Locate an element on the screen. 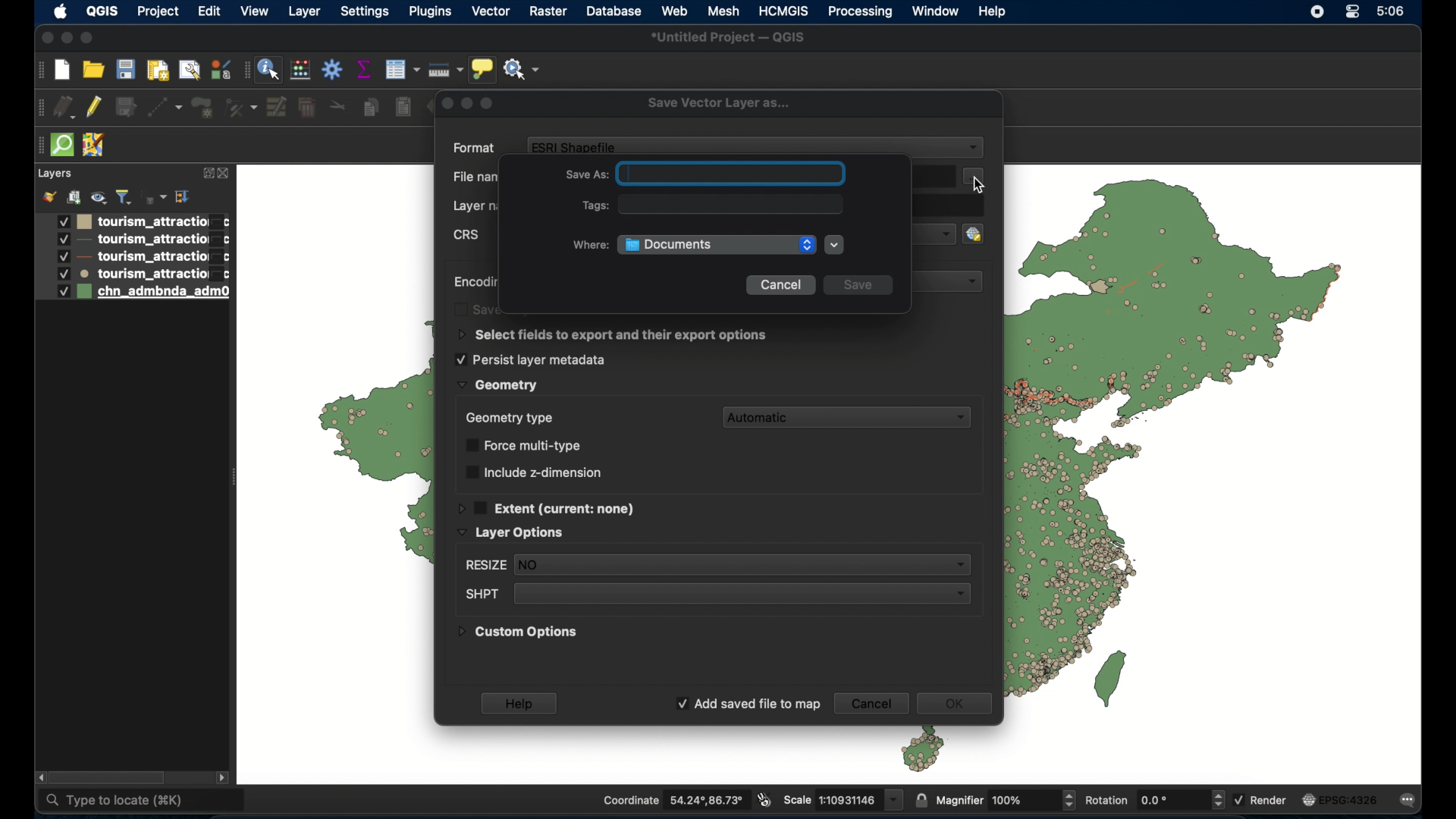 The height and width of the screenshot is (819, 1456). measure line is located at coordinates (446, 68).